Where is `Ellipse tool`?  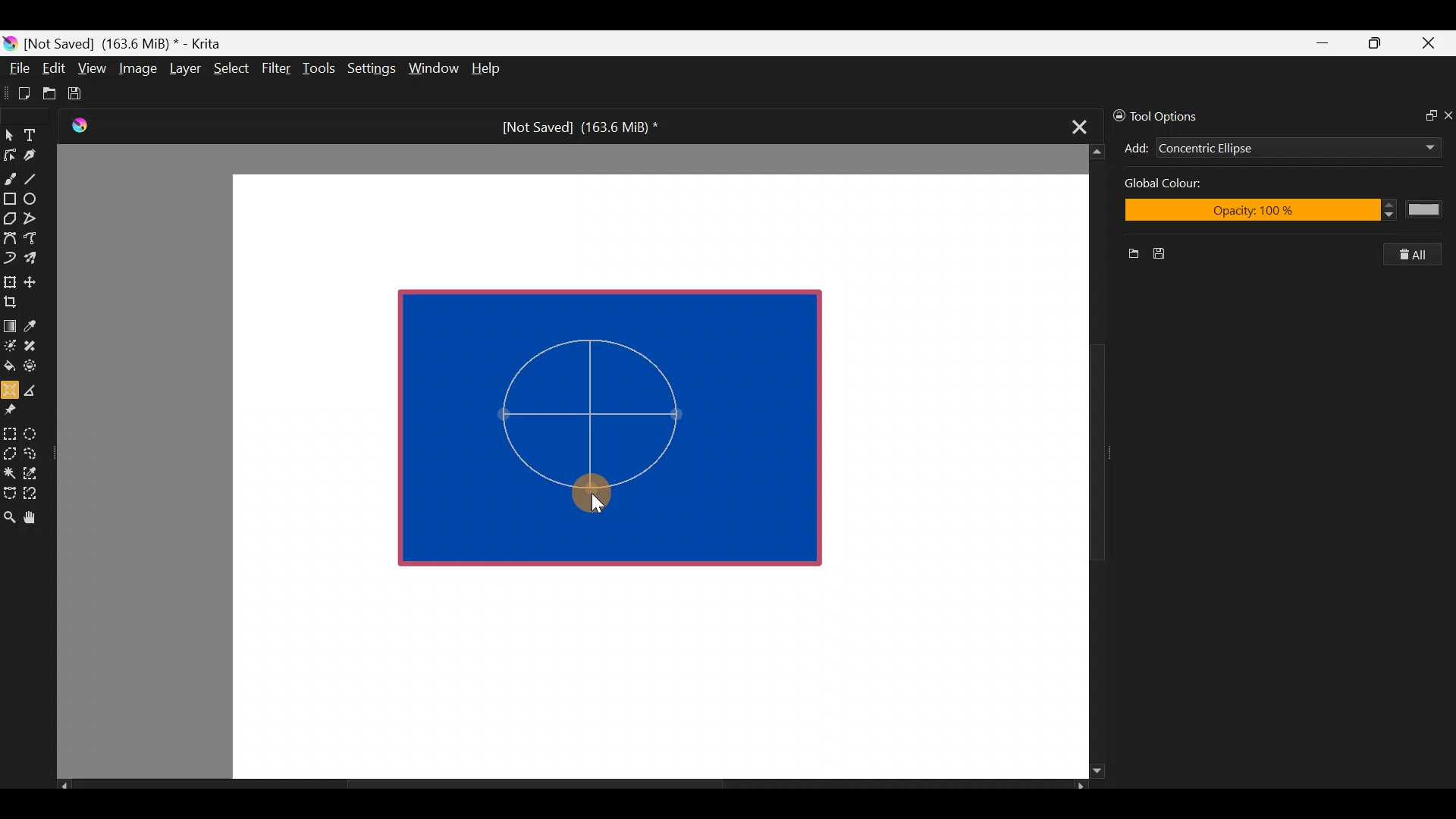 Ellipse tool is located at coordinates (37, 197).